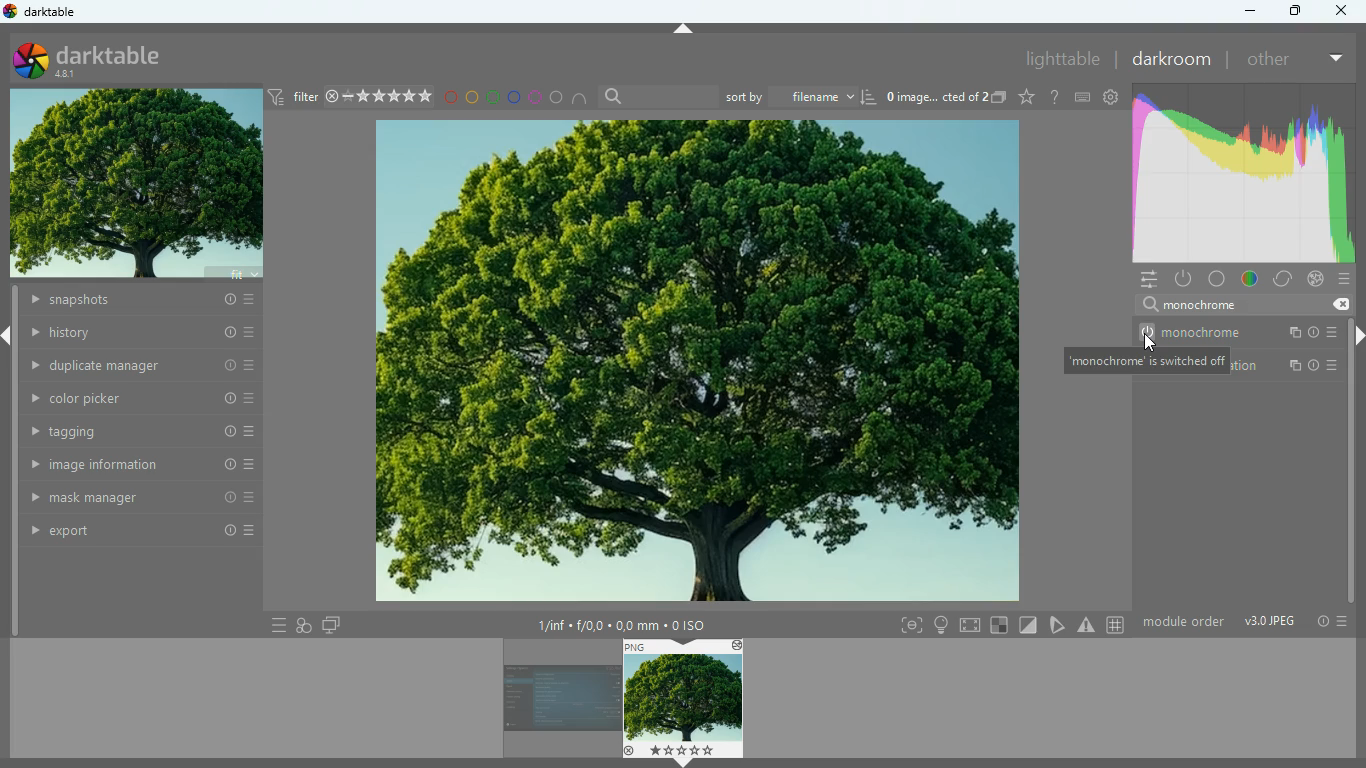  Describe the element at coordinates (1113, 625) in the screenshot. I see `#` at that location.